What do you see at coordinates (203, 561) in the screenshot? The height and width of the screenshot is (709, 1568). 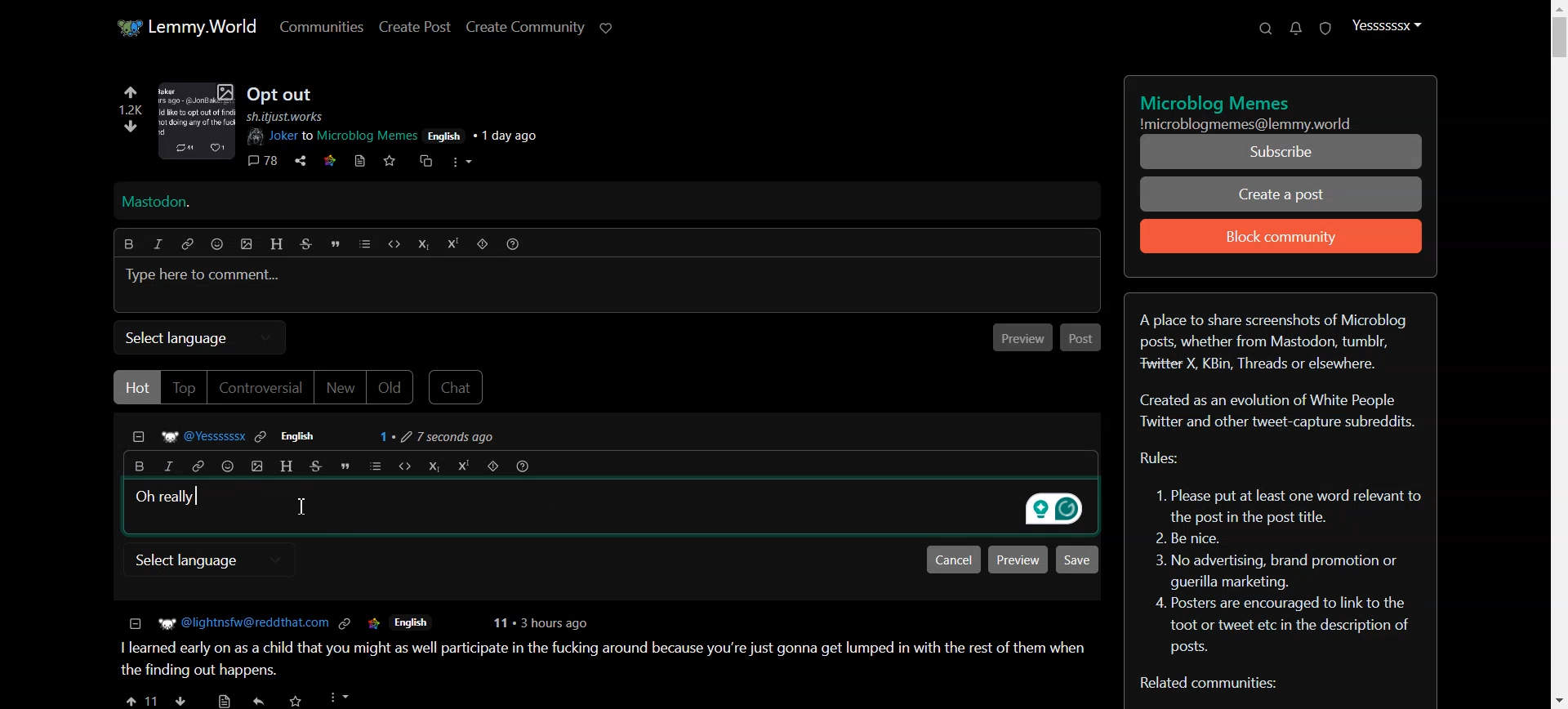 I see `select language` at bounding box center [203, 561].